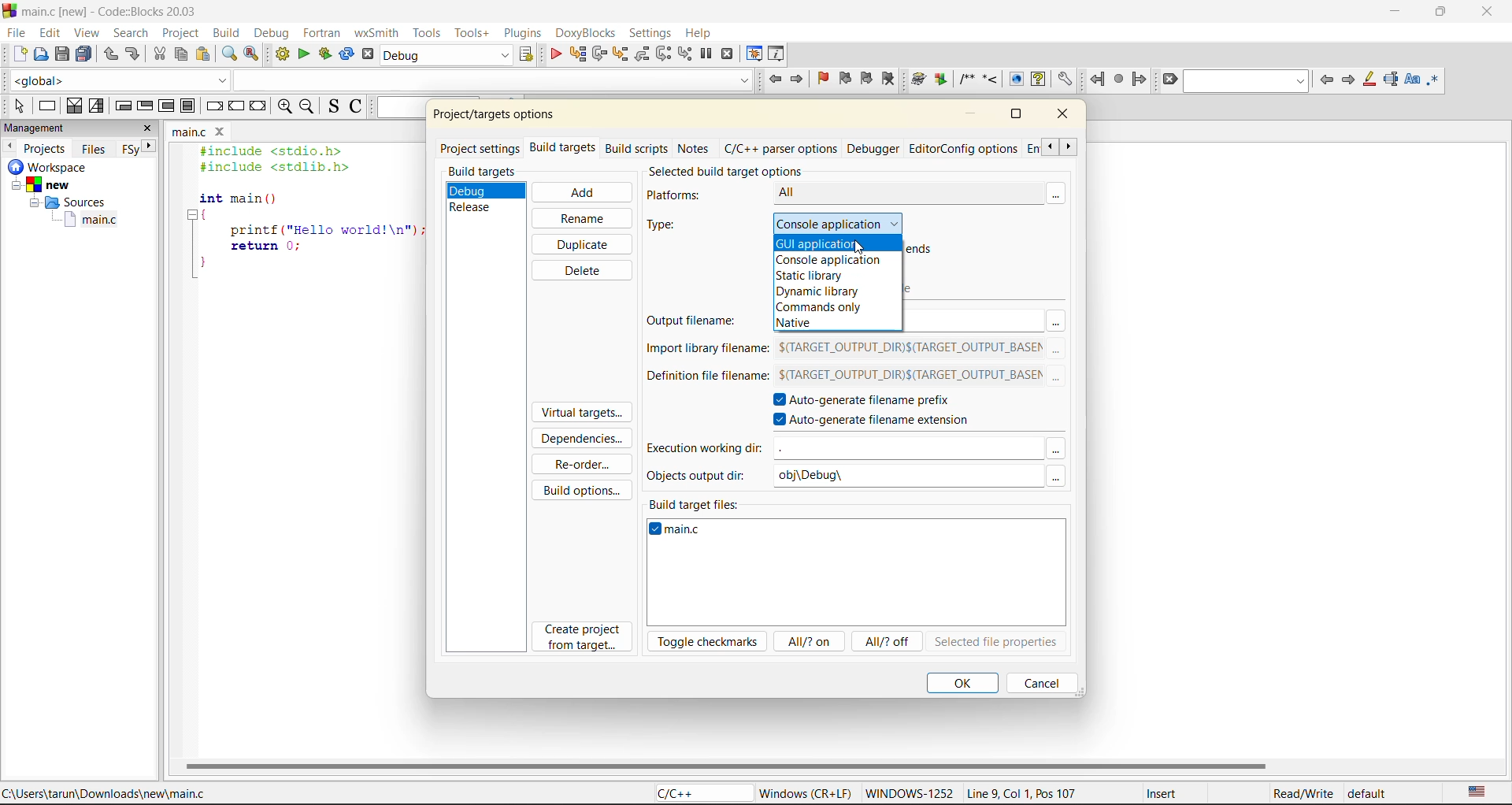 The height and width of the screenshot is (805, 1512). Describe the element at coordinates (581, 414) in the screenshot. I see `virtual targets` at that location.